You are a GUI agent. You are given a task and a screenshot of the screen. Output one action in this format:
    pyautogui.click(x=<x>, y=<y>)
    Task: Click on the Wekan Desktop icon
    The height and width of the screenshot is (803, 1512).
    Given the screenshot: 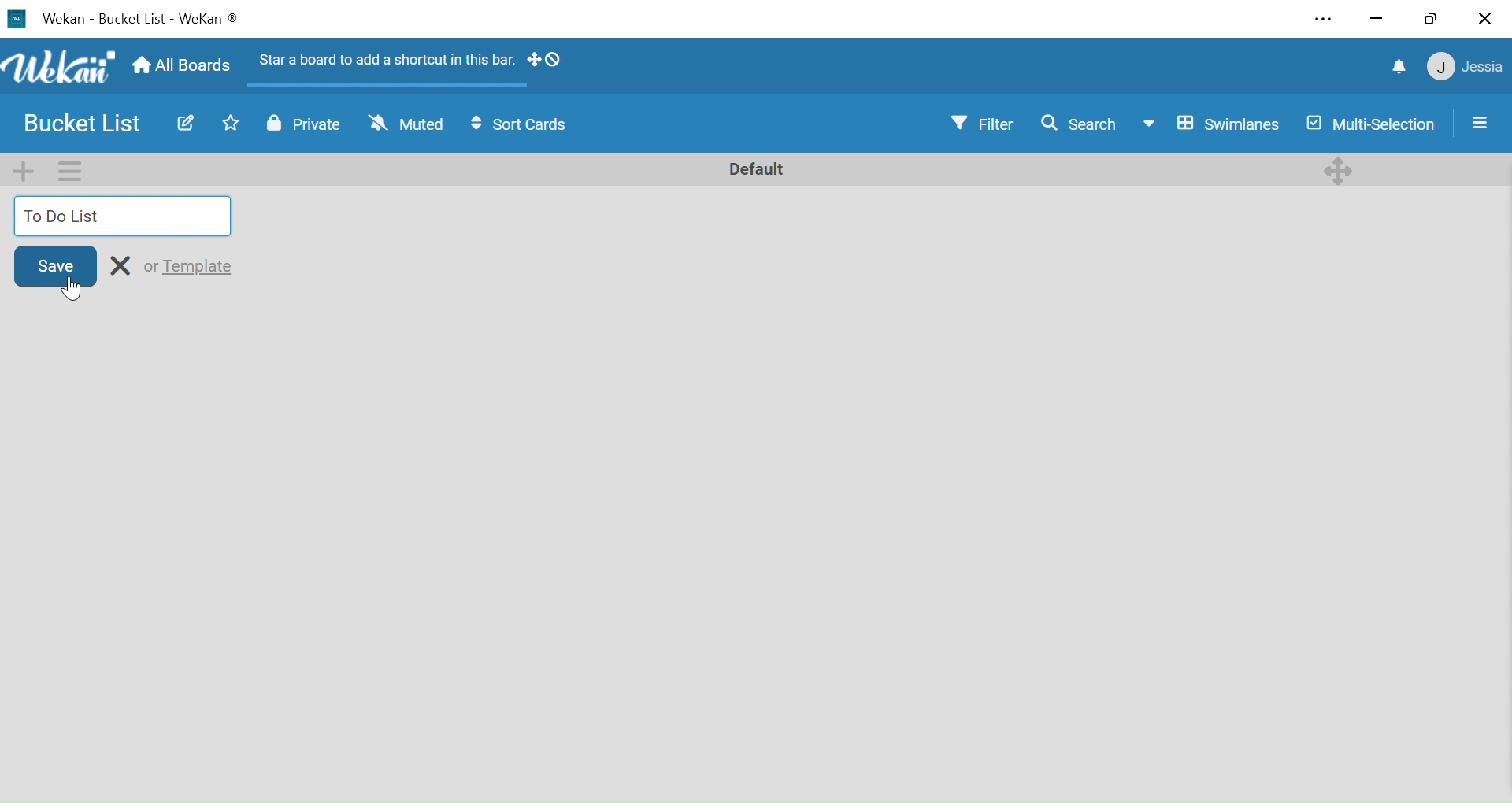 What is the action you would take?
    pyautogui.click(x=16, y=19)
    